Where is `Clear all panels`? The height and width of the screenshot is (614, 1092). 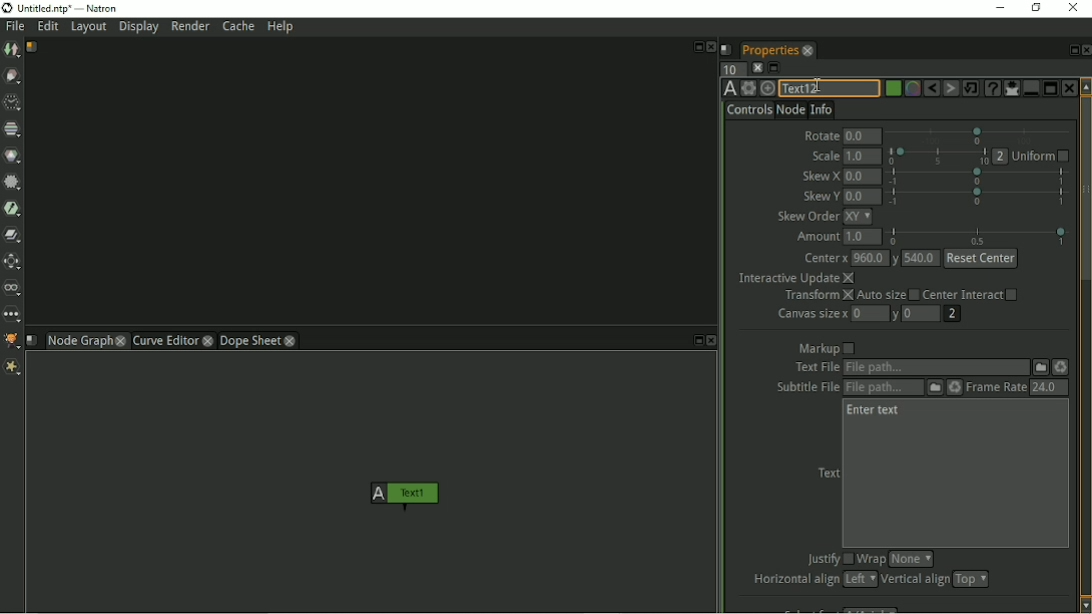
Clear all panels is located at coordinates (757, 67).